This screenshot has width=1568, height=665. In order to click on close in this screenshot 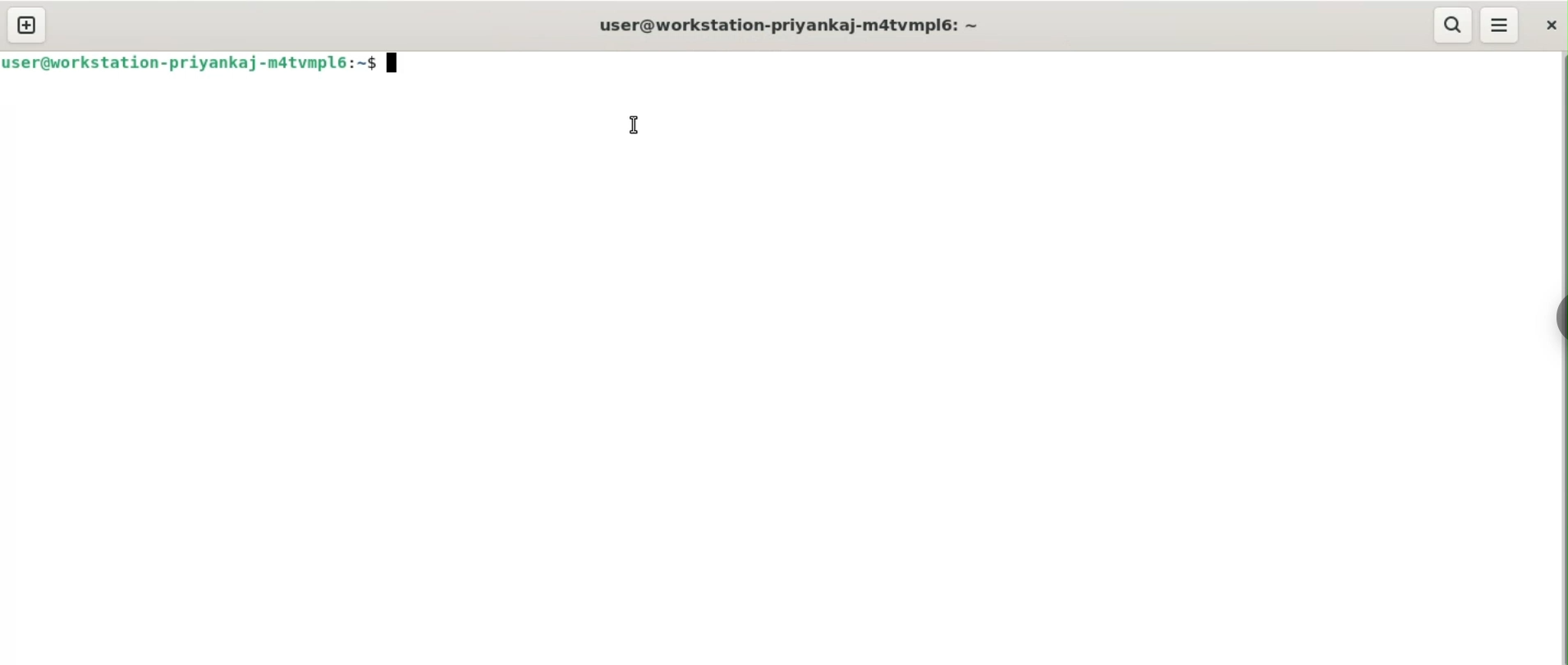, I will do `click(1550, 26)`.